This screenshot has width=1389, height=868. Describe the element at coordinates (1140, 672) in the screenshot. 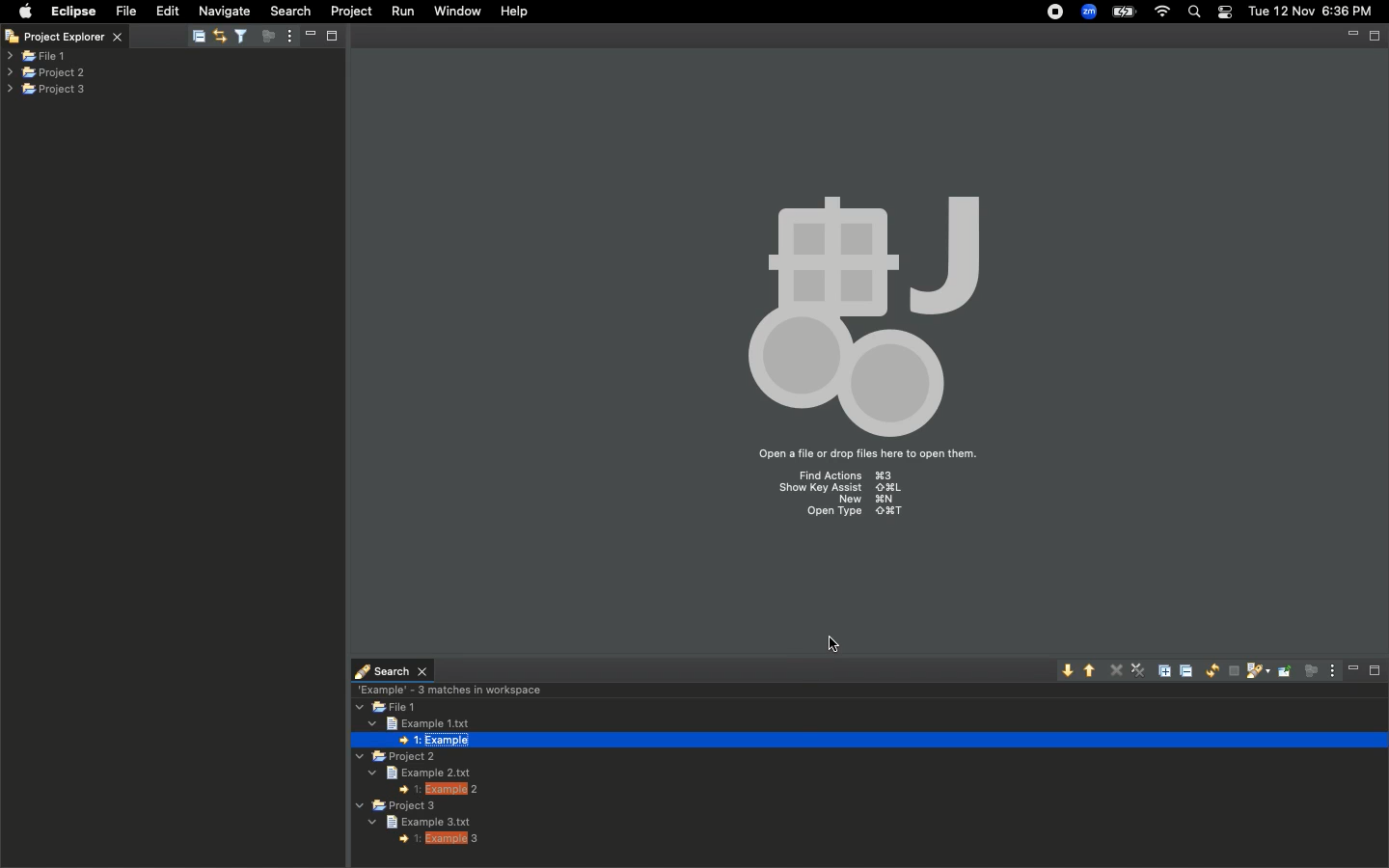

I see `Remove all matches` at that location.